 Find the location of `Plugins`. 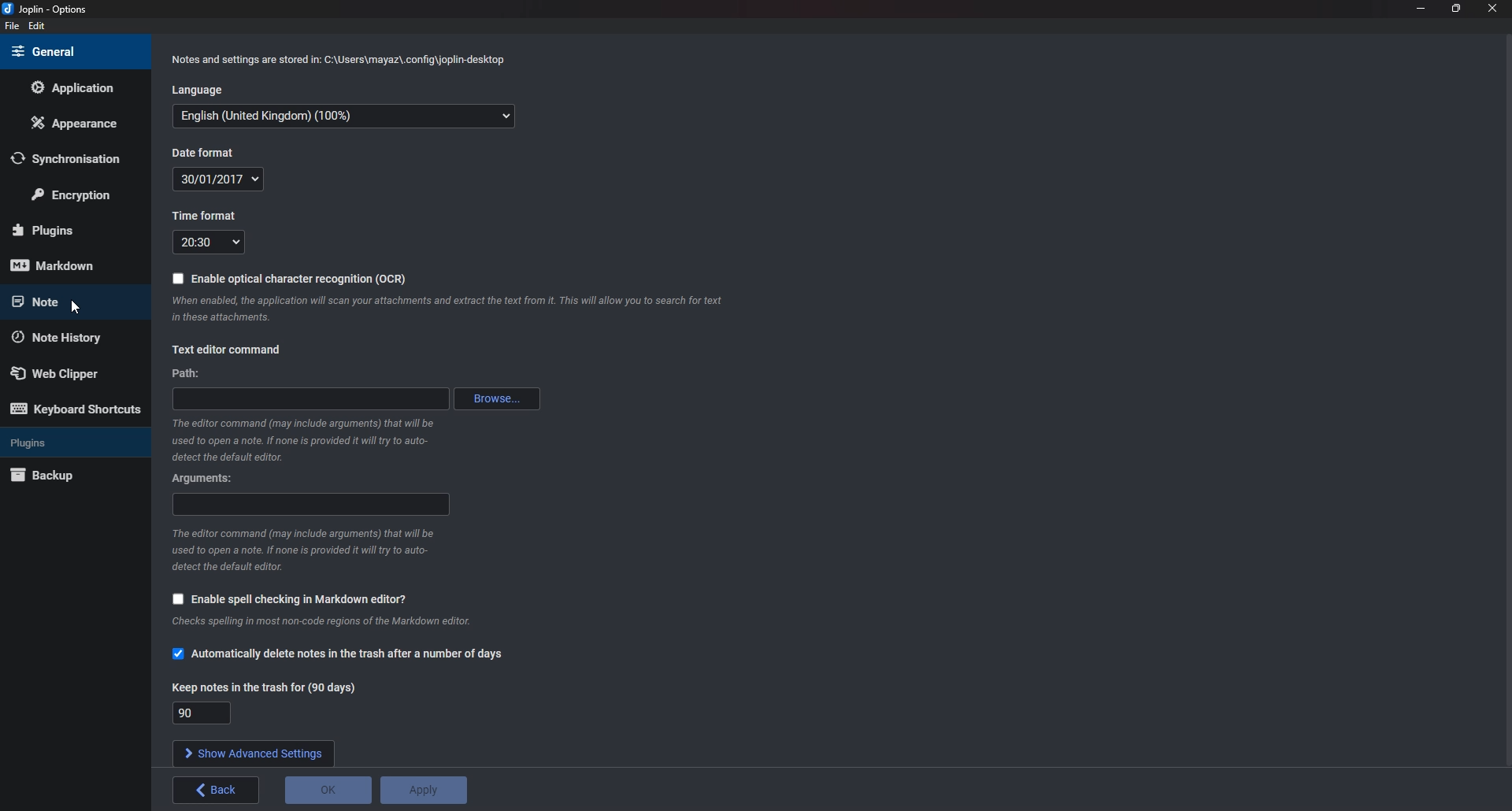

Plugins is located at coordinates (72, 441).